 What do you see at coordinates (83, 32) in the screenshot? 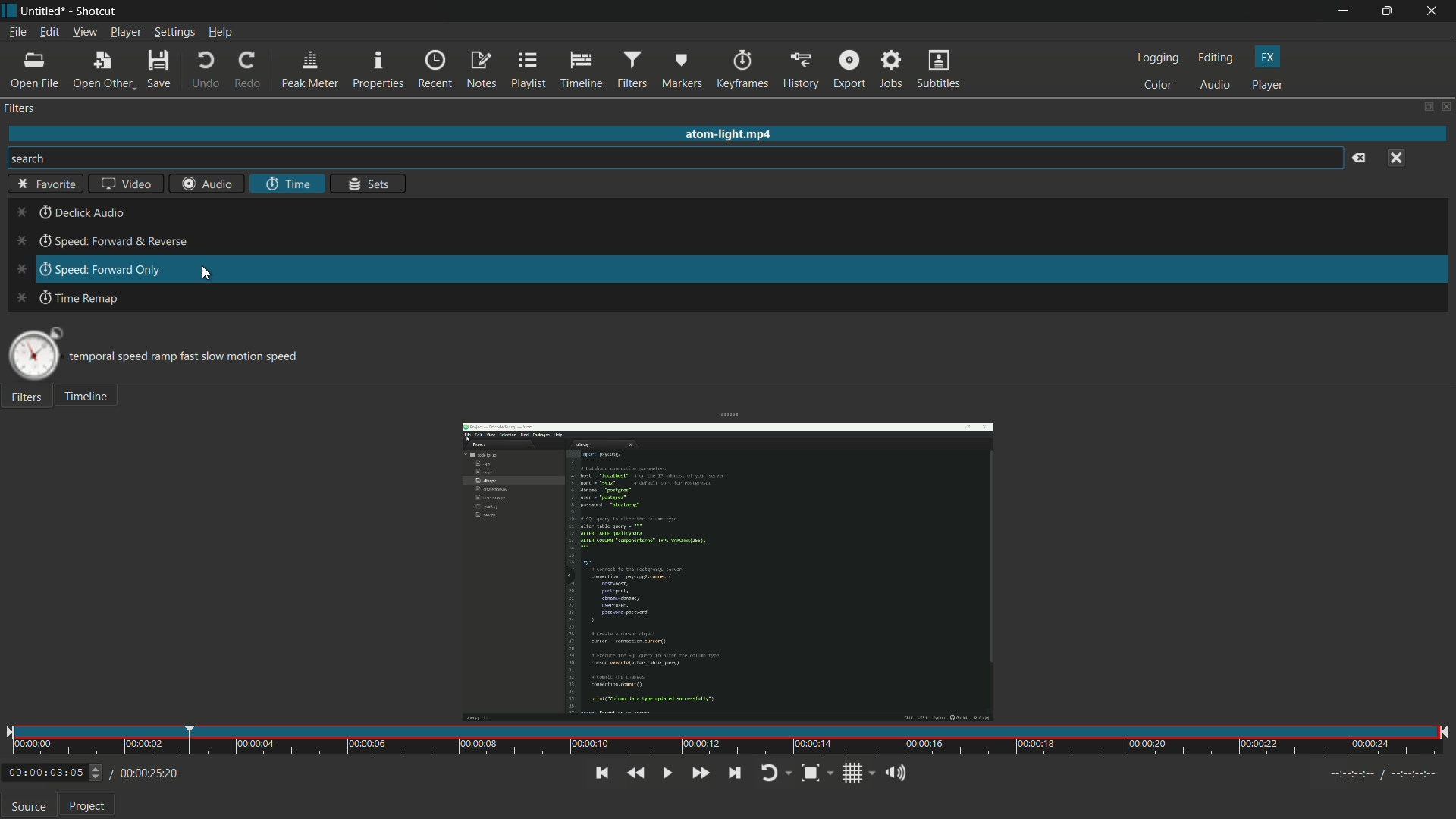
I see `view menu` at bounding box center [83, 32].